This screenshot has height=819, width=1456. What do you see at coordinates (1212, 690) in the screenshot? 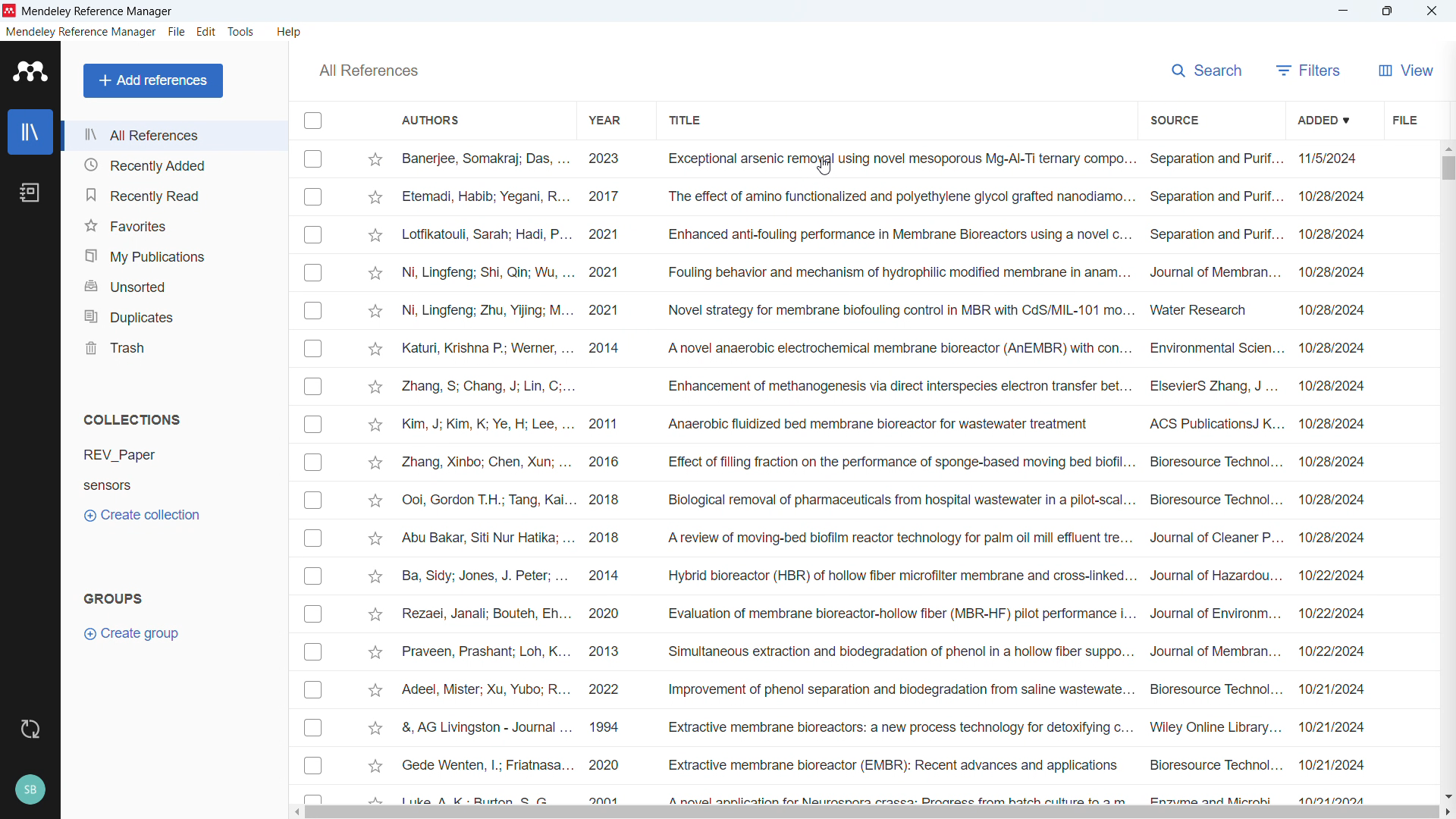
I see `bioresource technology` at bounding box center [1212, 690].